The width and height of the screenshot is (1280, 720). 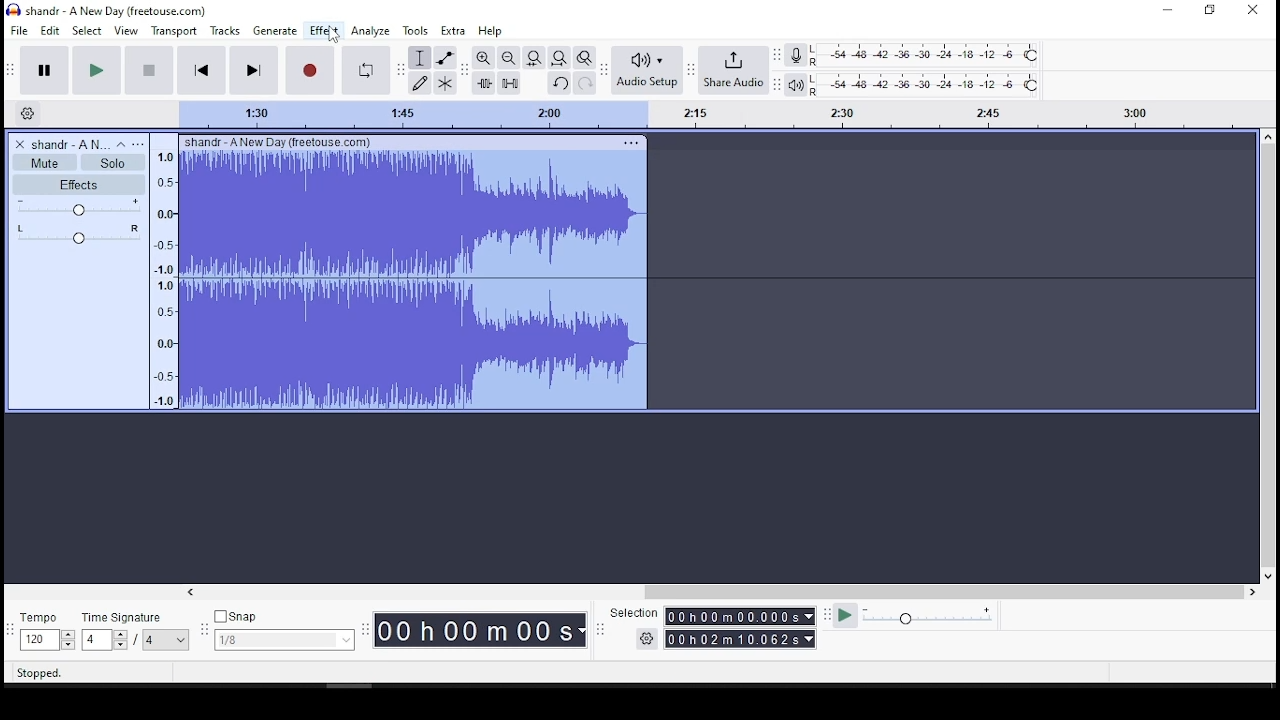 I want to click on volume, so click(x=77, y=207).